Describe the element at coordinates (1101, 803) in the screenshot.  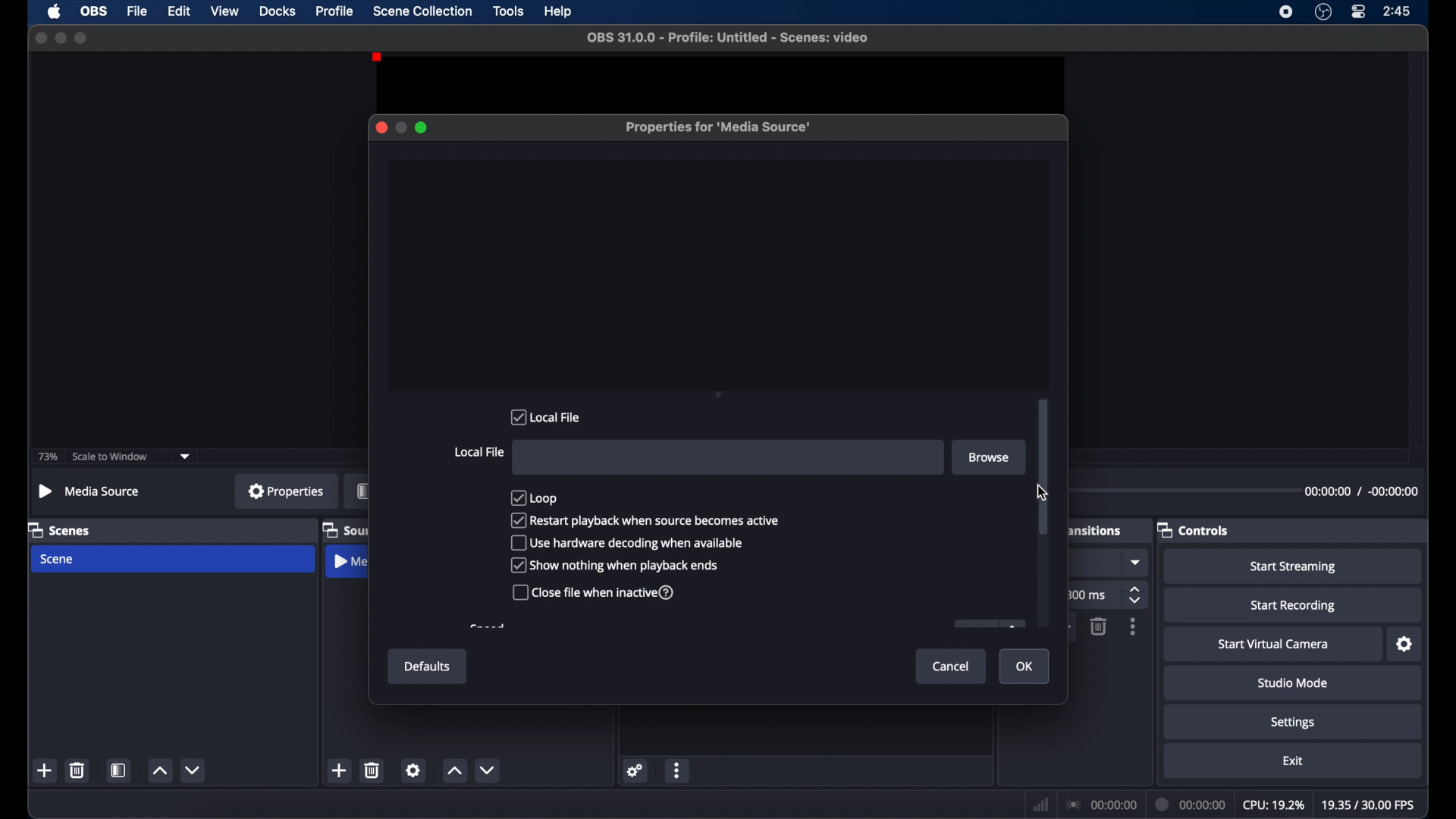
I see `connection` at that location.